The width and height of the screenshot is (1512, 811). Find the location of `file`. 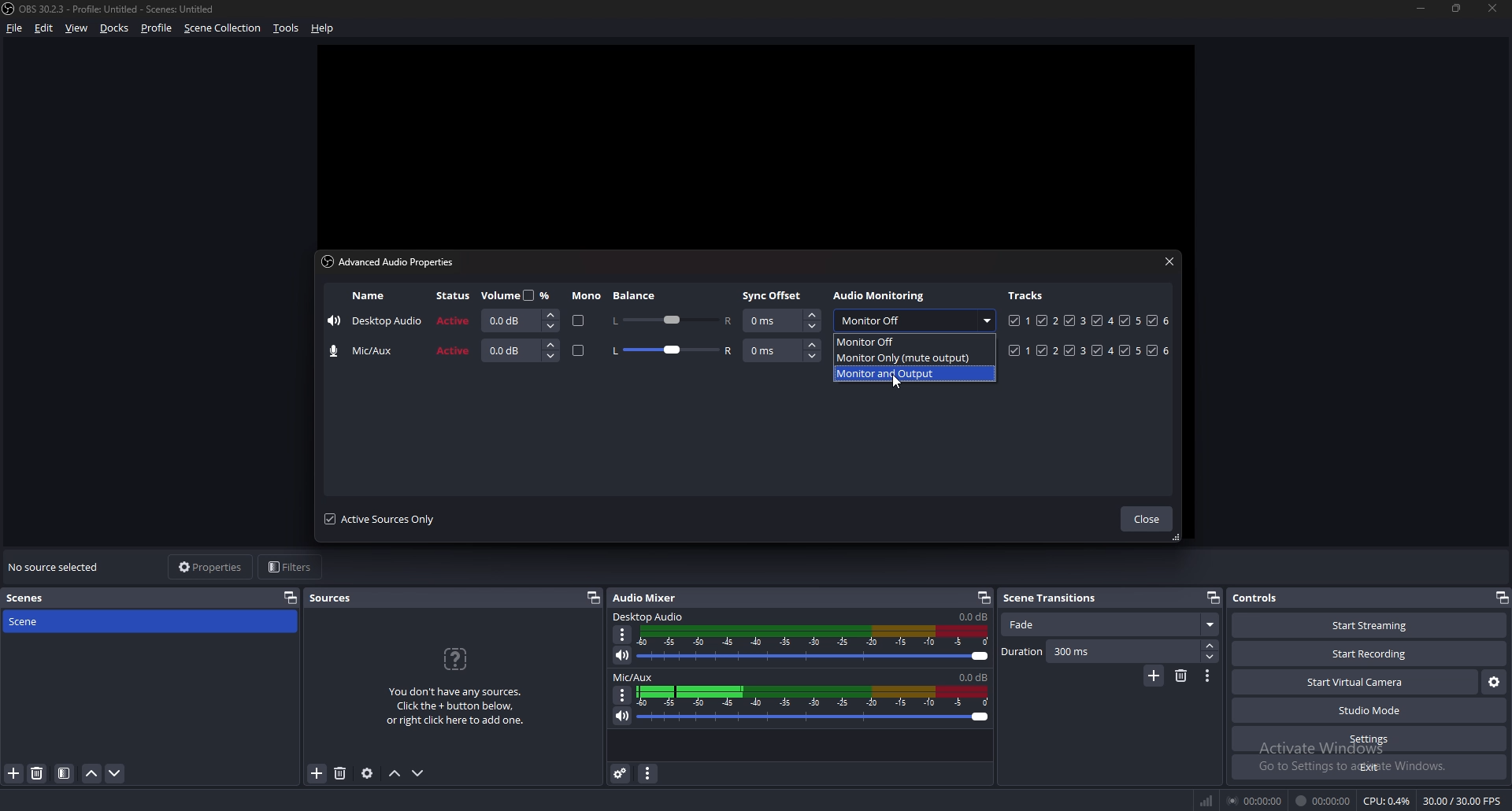

file is located at coordinates (16, 28).